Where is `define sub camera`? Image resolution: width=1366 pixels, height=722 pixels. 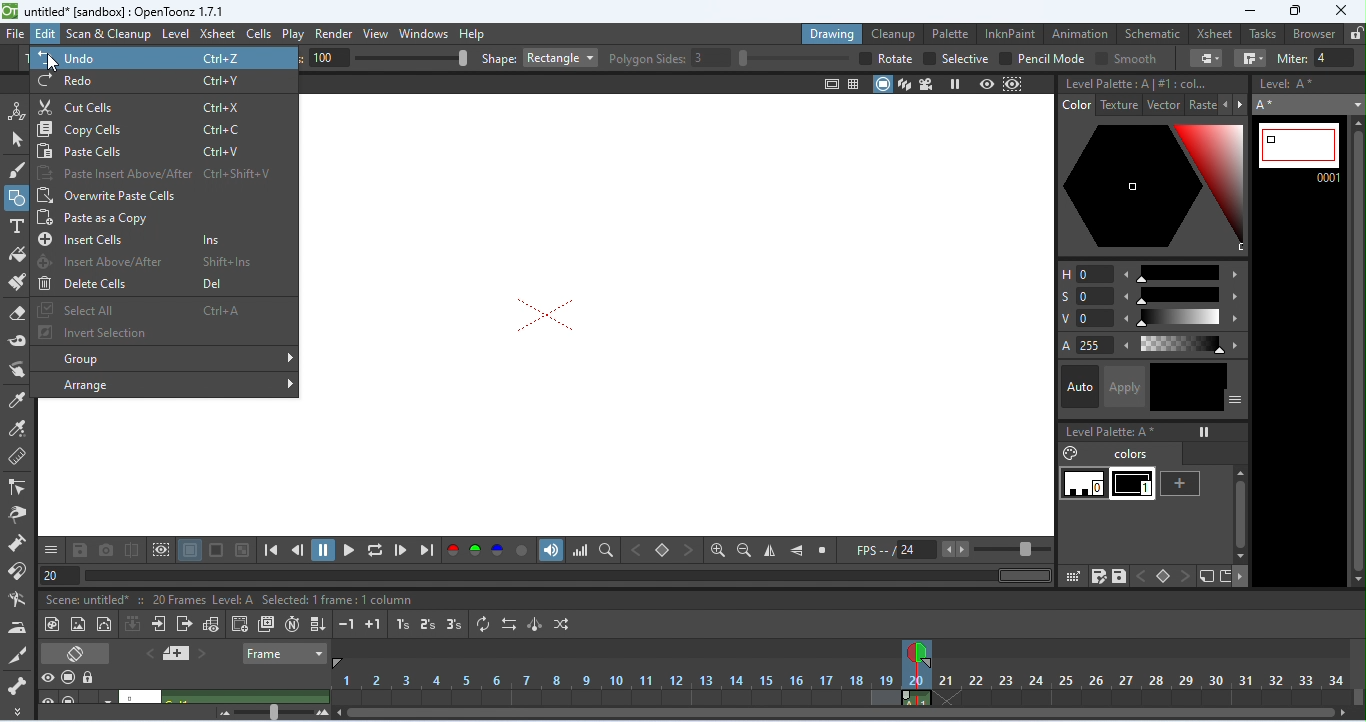
define sub camera is located at coordinates (161, 549).